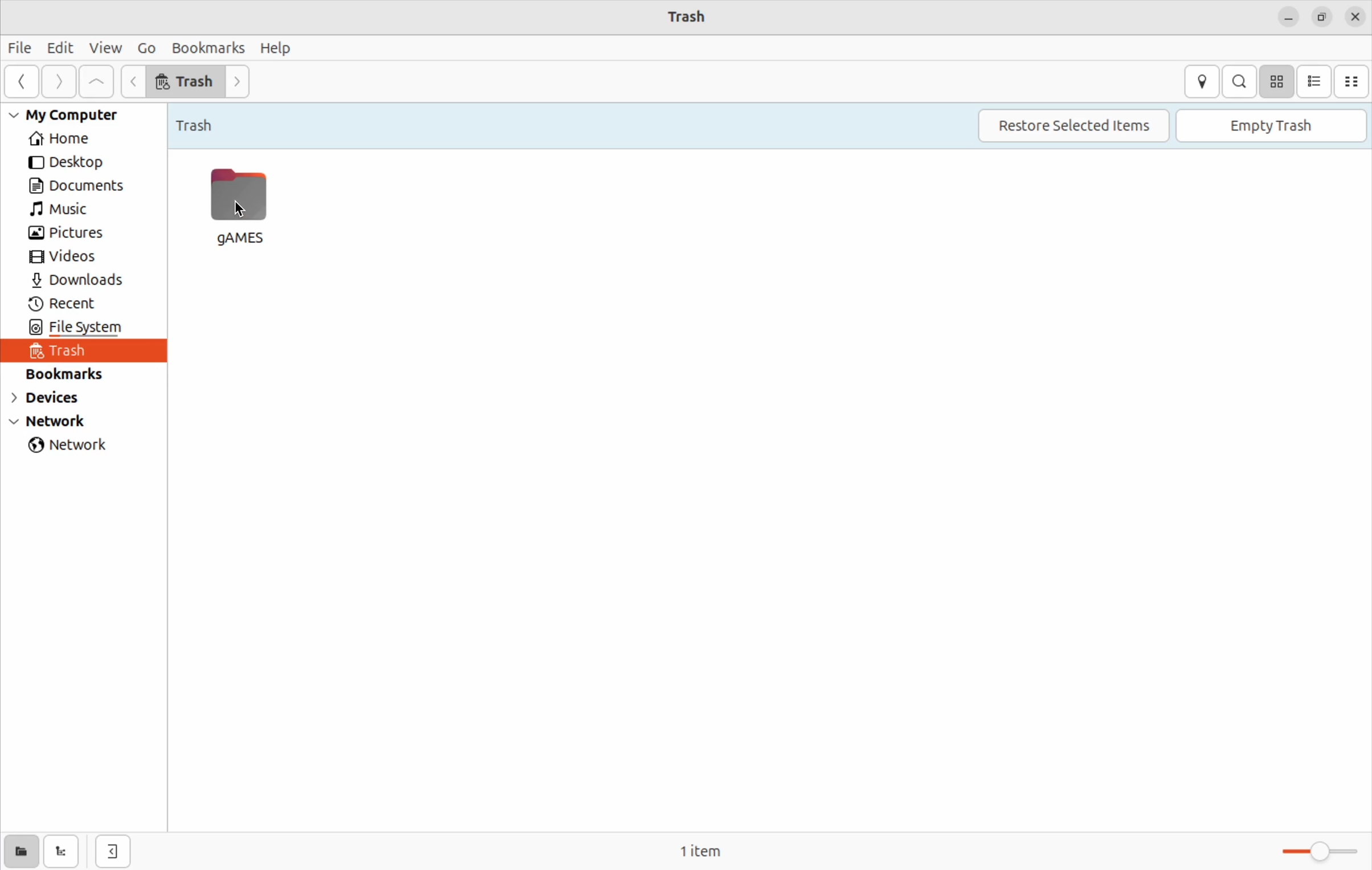  Describe the element at coordinates (1288, 18) in the screenshot. I see `minimize` at that location.